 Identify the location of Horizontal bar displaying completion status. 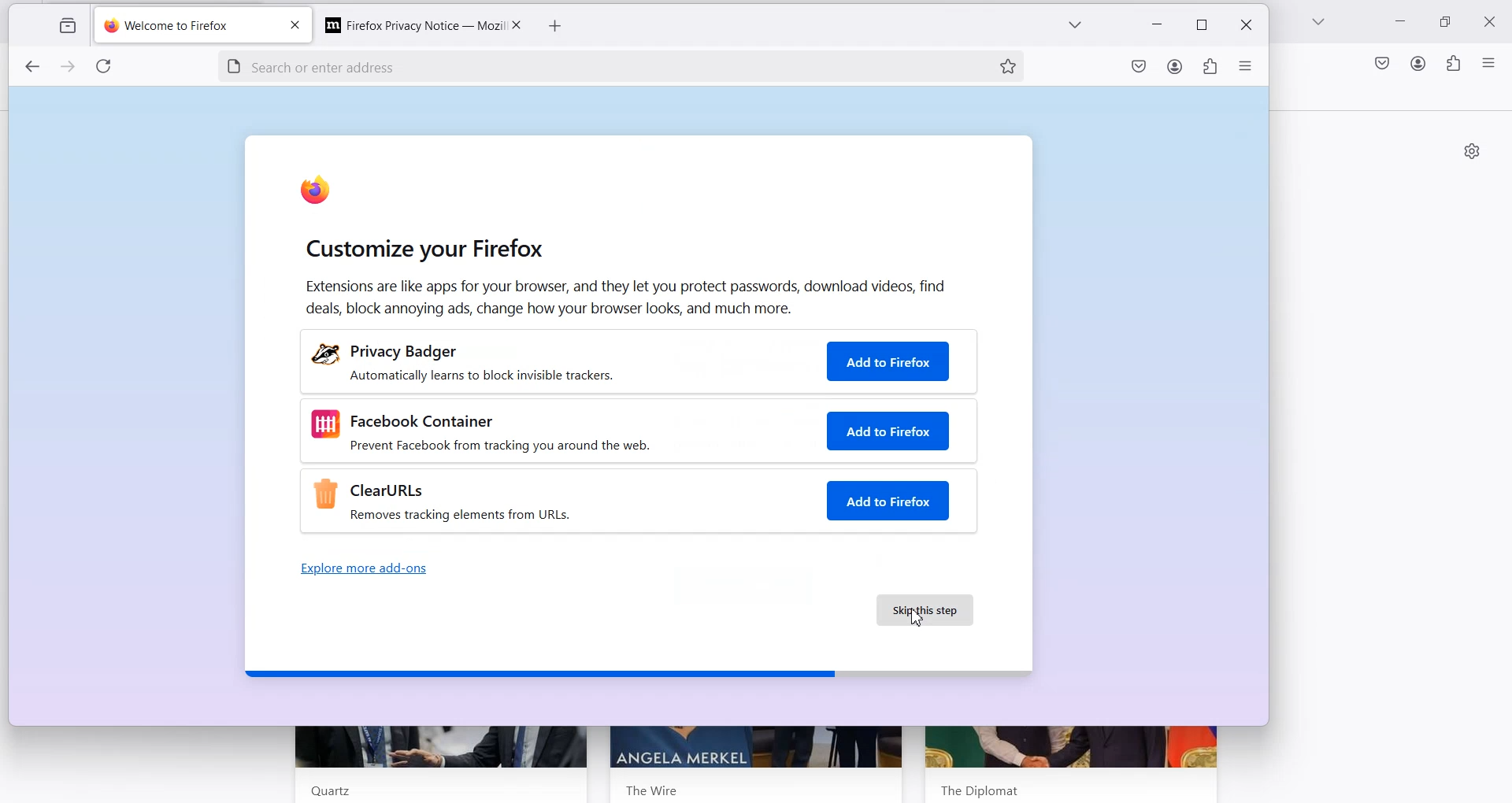
(636, 672).